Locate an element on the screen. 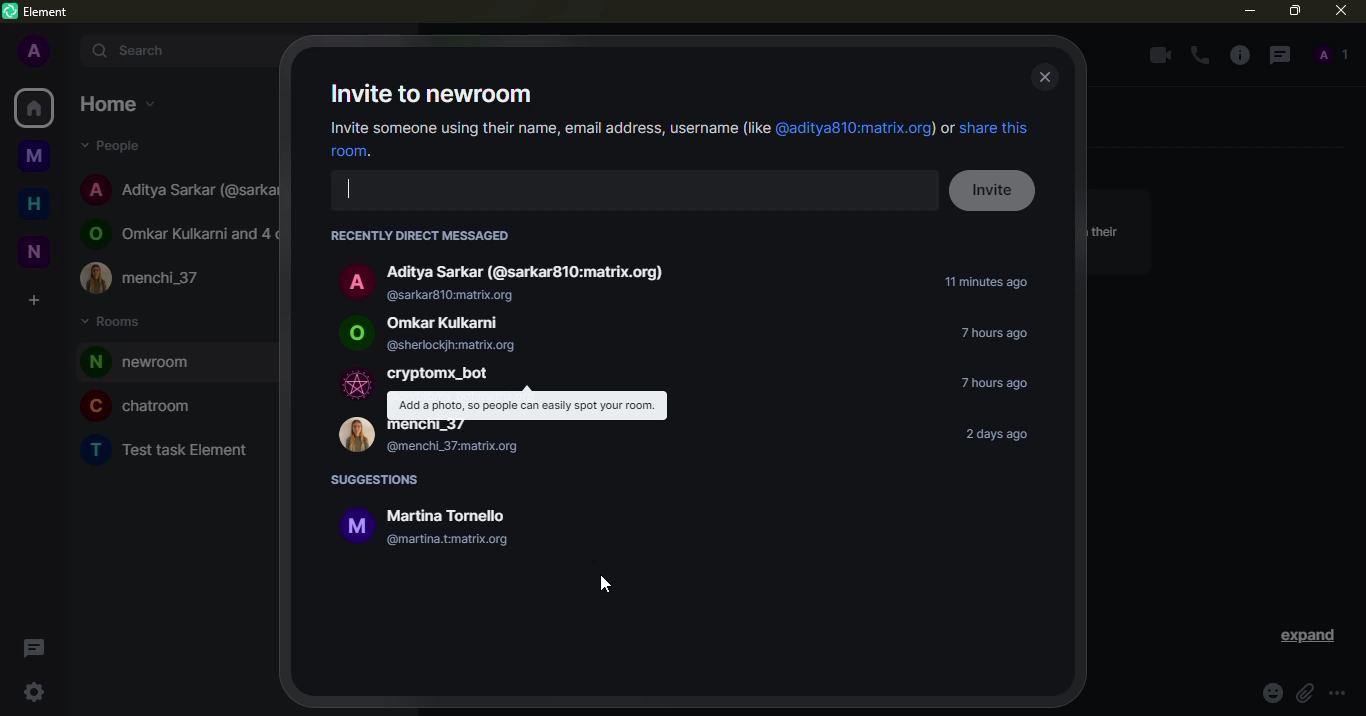  home is located at coordinates (35, 204).